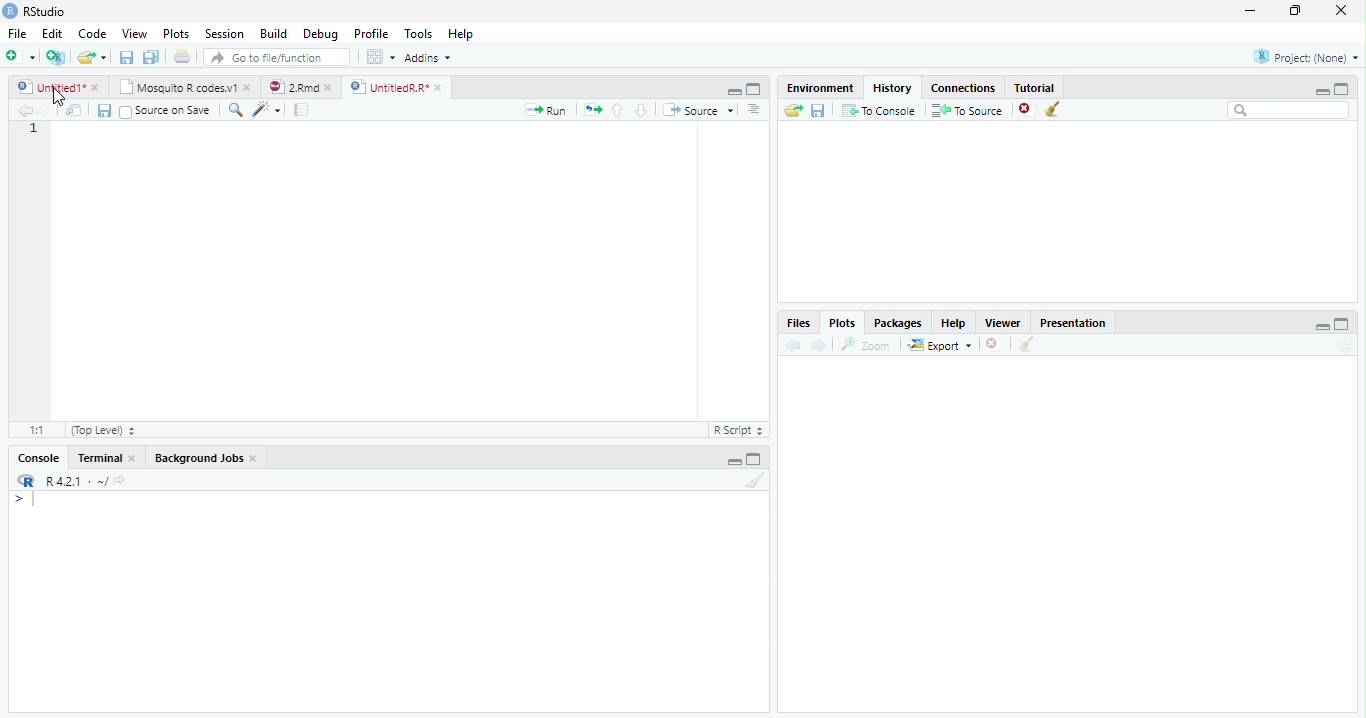  I want to click on R 4.2.1 ~/, so click(77, 481).